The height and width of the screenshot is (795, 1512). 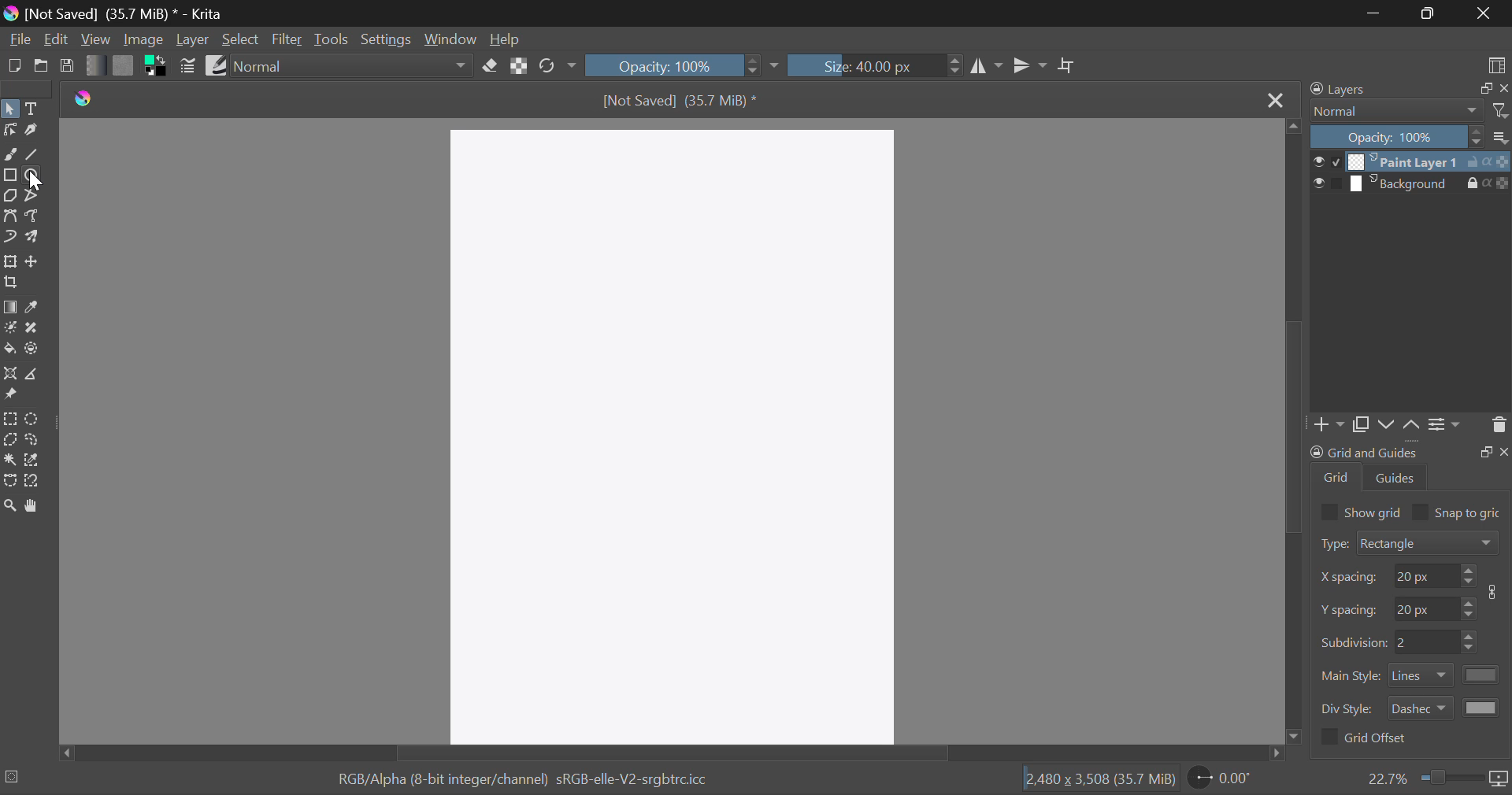 I want to click on Rectangular Selection, so click(x=9, y=419).